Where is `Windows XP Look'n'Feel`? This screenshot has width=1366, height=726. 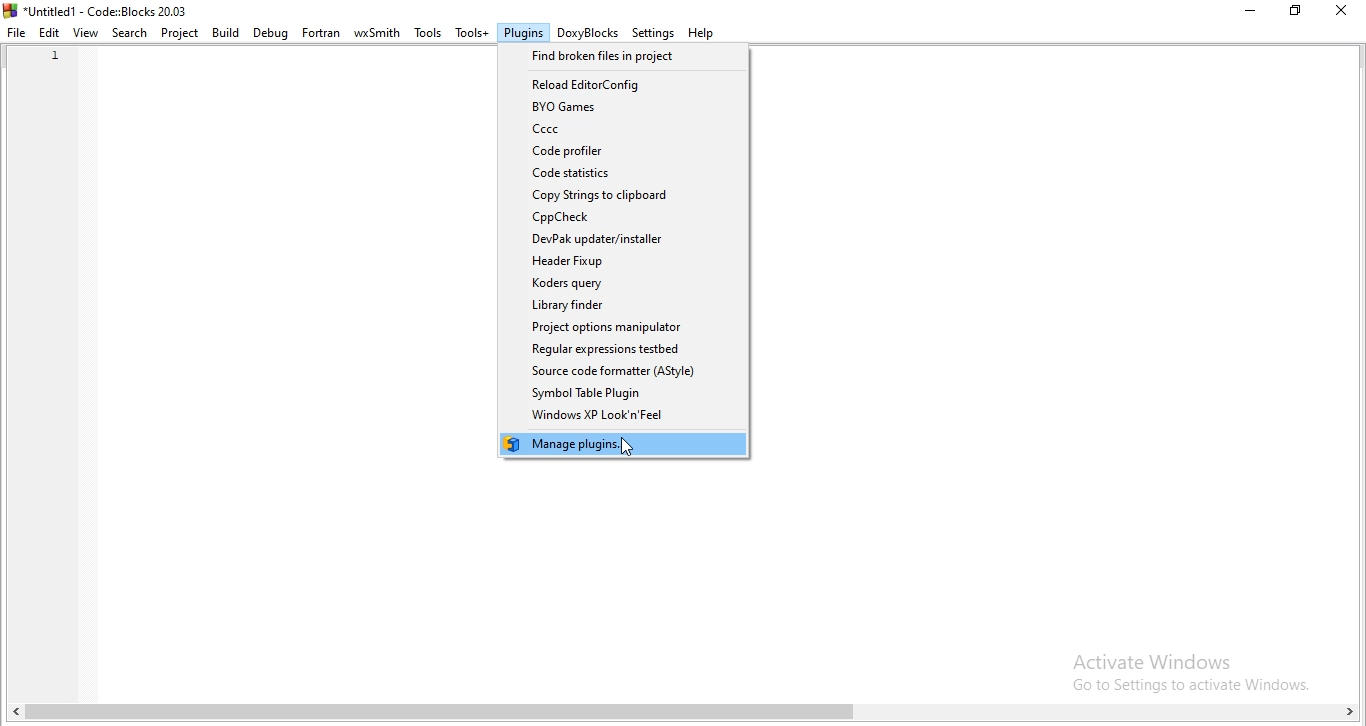 Windows XP Look'n'Feel is located at coordinates (626, 417).